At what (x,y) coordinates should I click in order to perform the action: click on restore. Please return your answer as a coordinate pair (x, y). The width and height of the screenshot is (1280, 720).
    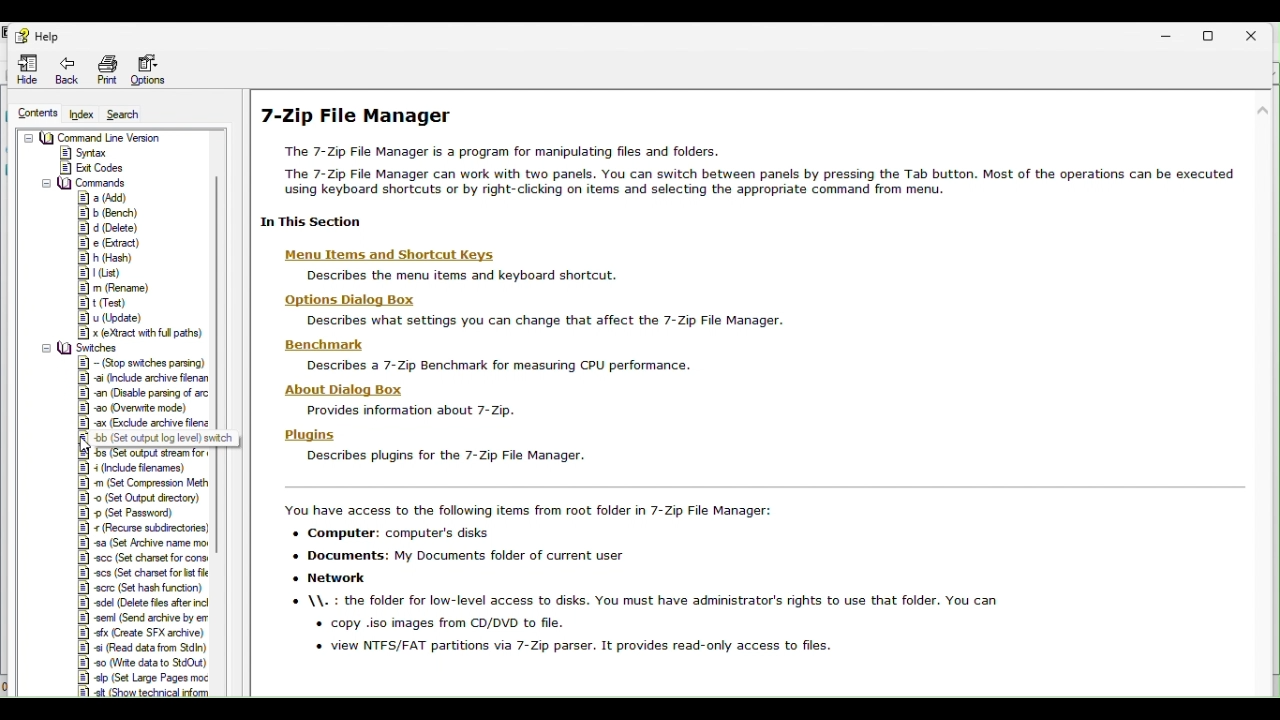
    Looking at the image, I should click on (1217, 35).